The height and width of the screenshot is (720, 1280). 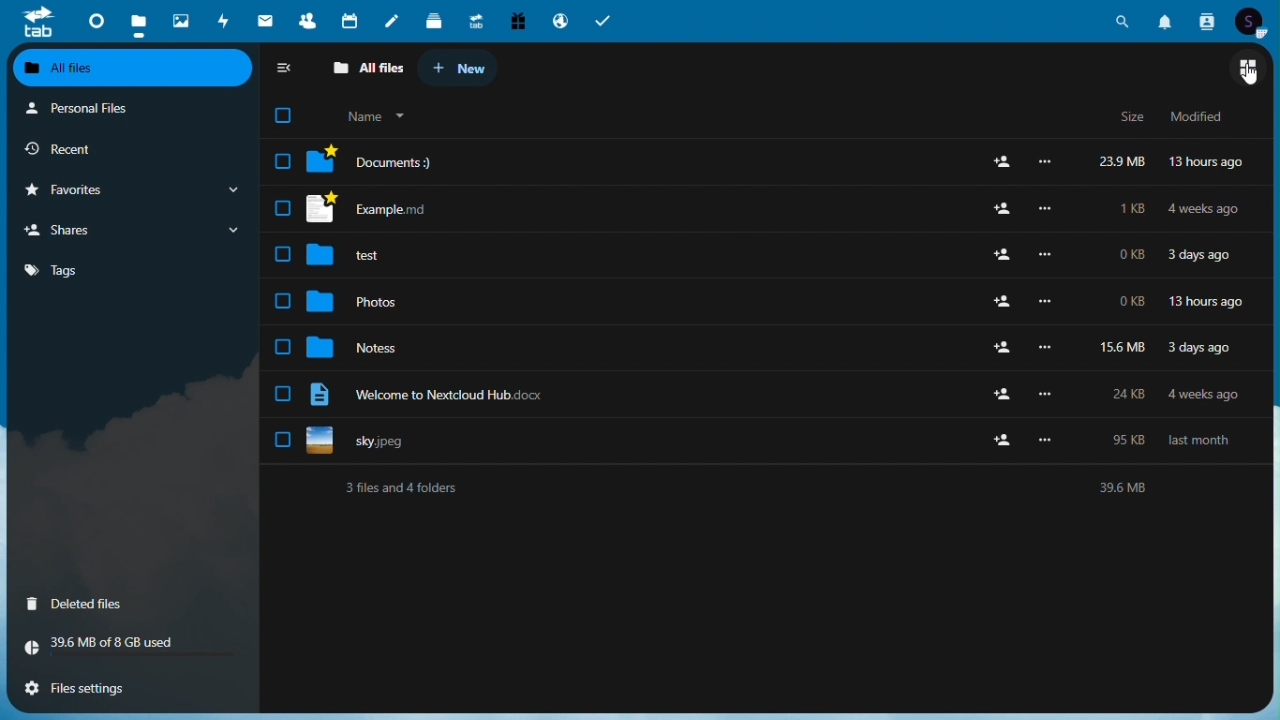 I want to click on example md, so click(x=406, y=209).